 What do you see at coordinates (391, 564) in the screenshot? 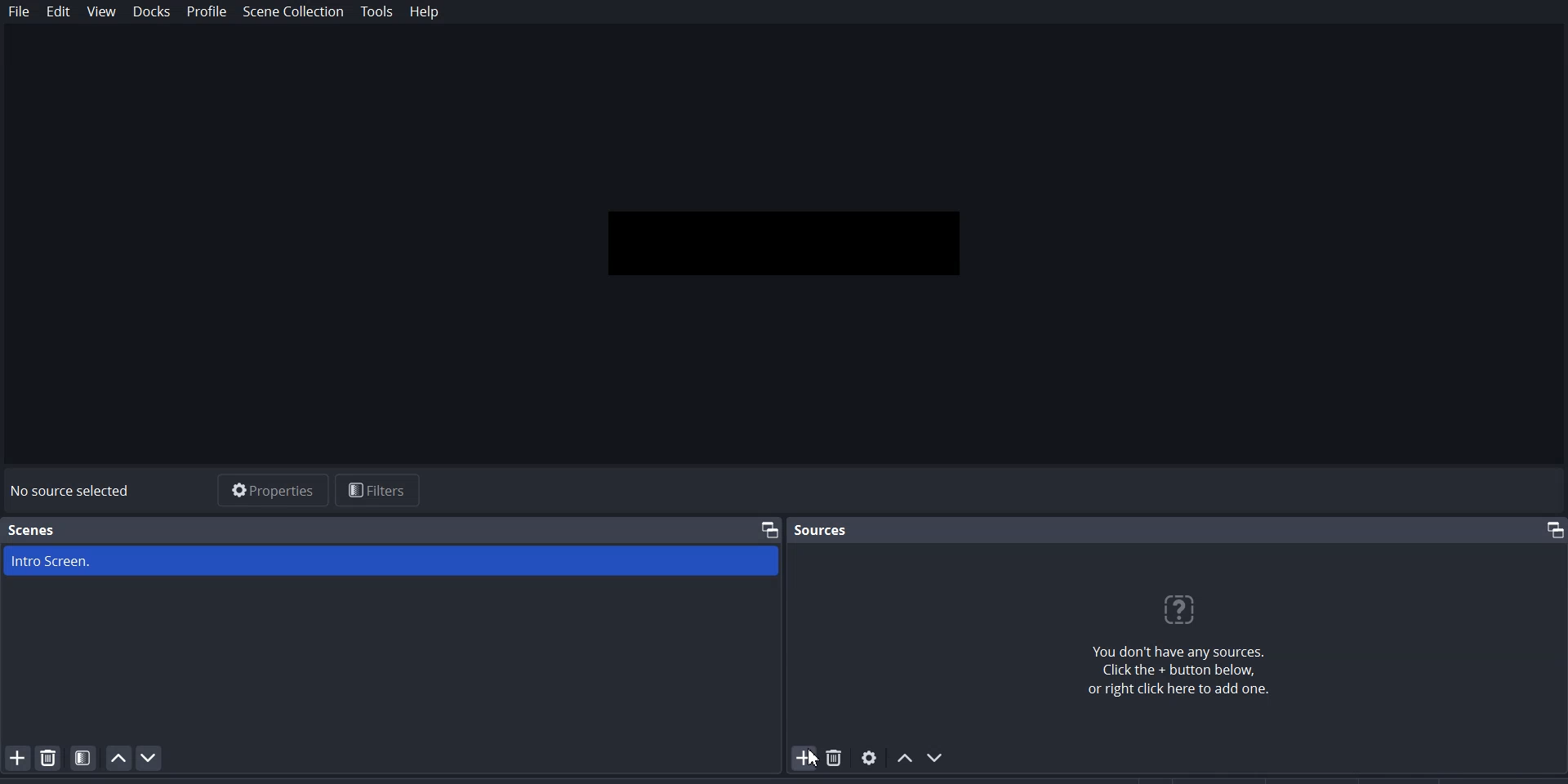
I see `Intro screen` at bounding box center [391, 564].